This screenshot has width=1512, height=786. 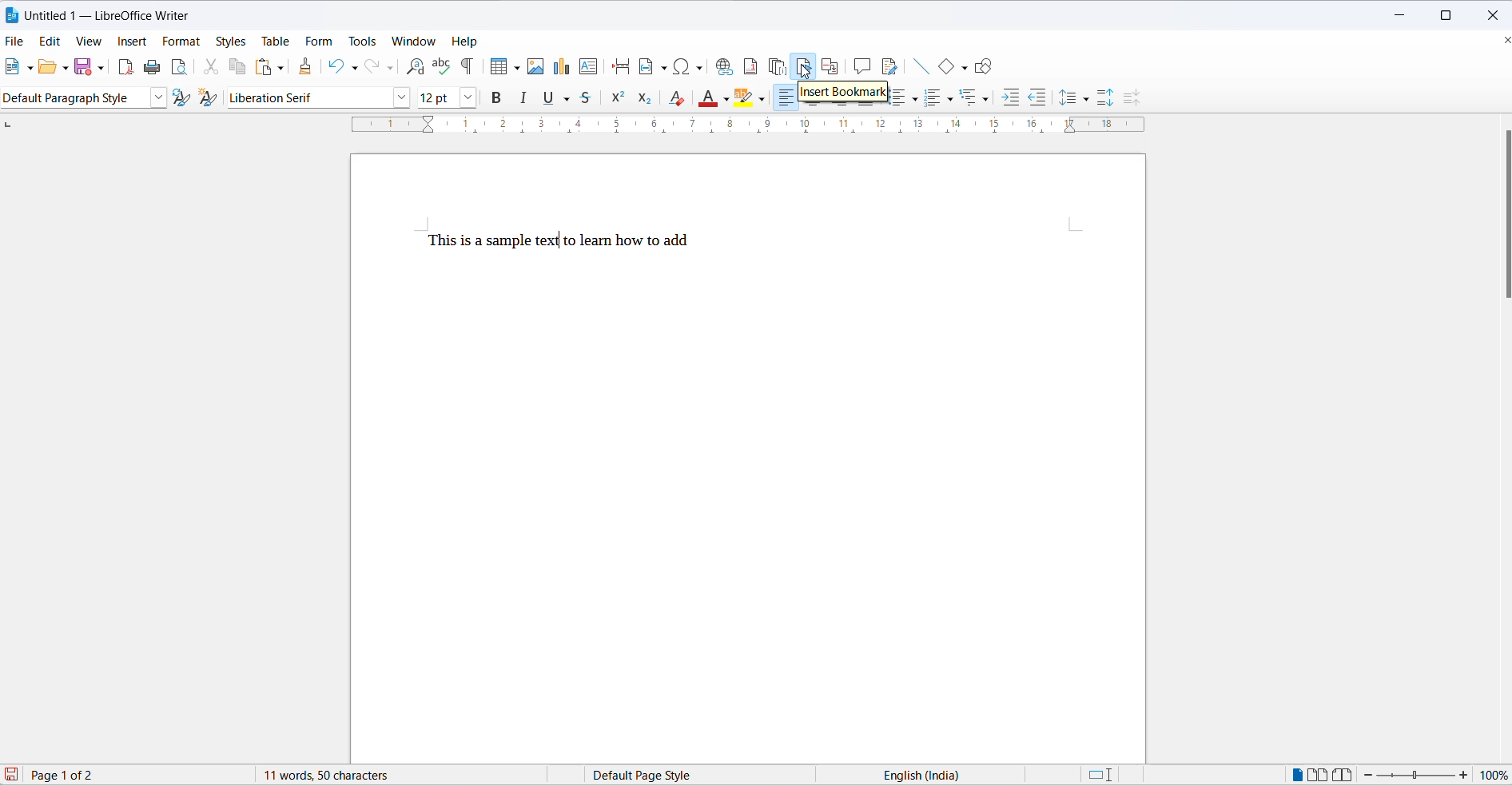 I want to click on , so click(x=940, y=97).